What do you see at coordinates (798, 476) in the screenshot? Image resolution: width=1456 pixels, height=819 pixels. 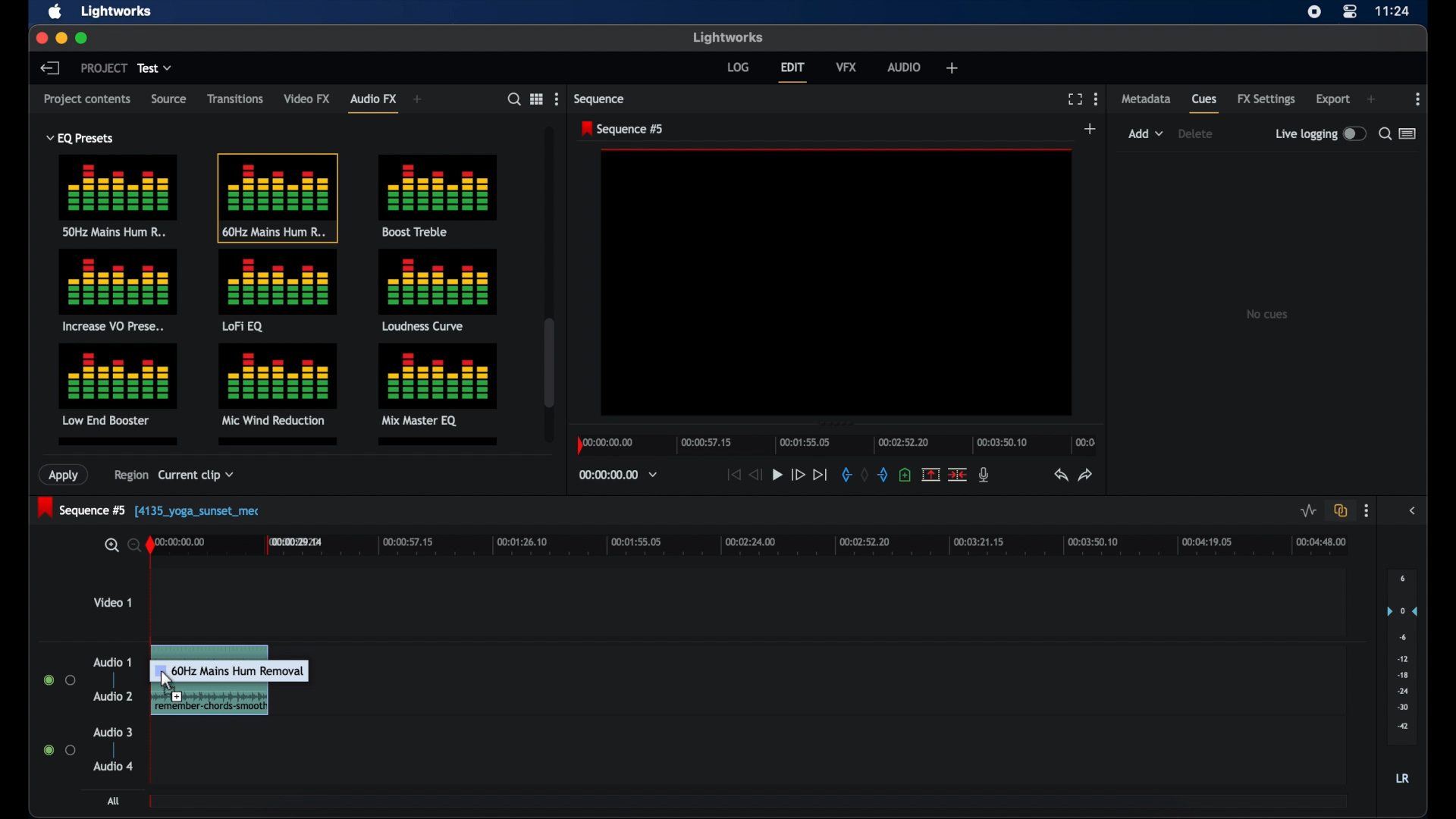 I see `fast forward` at bounding box center [798, 476].